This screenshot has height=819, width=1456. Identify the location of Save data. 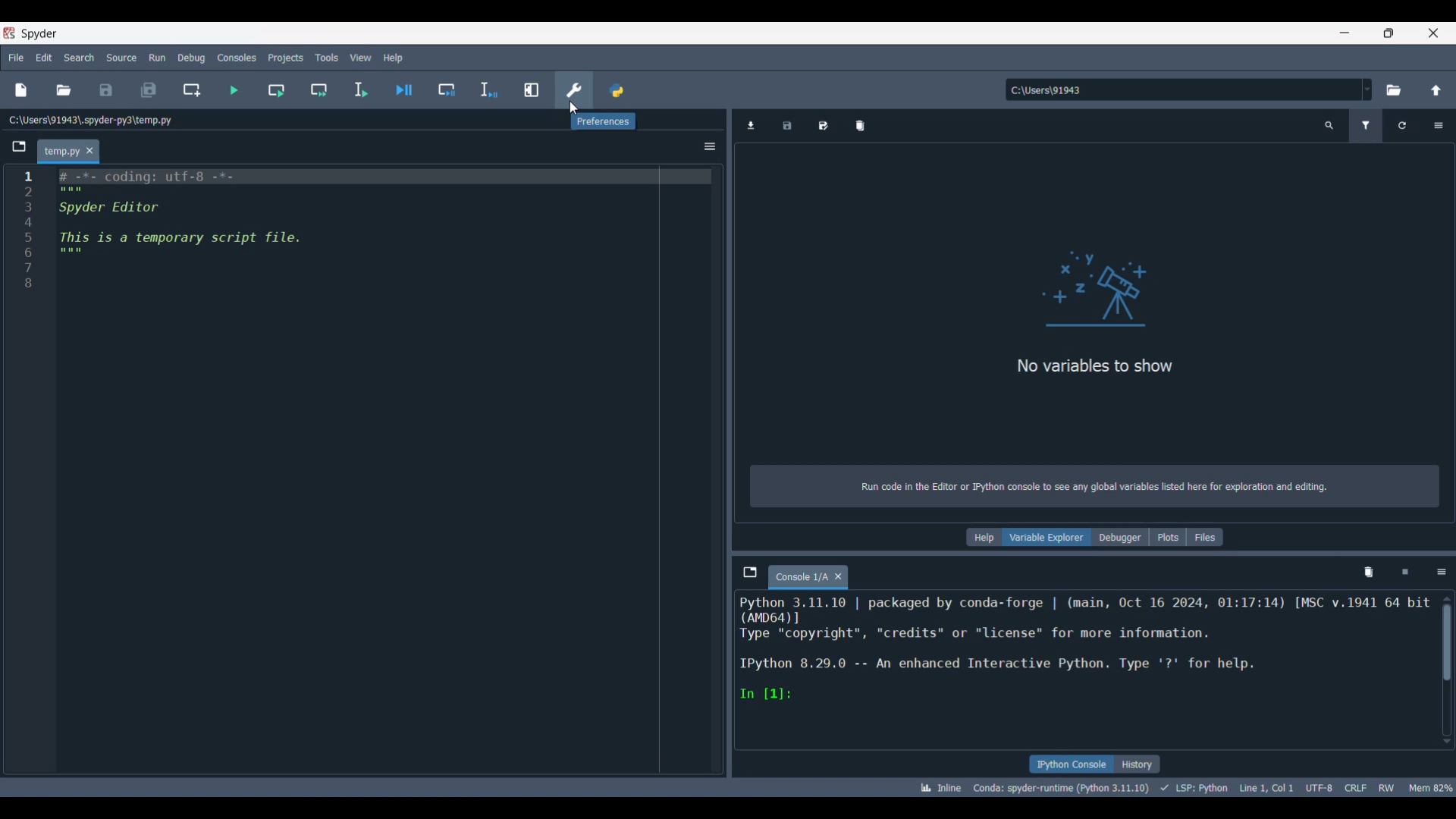
(787, 126).